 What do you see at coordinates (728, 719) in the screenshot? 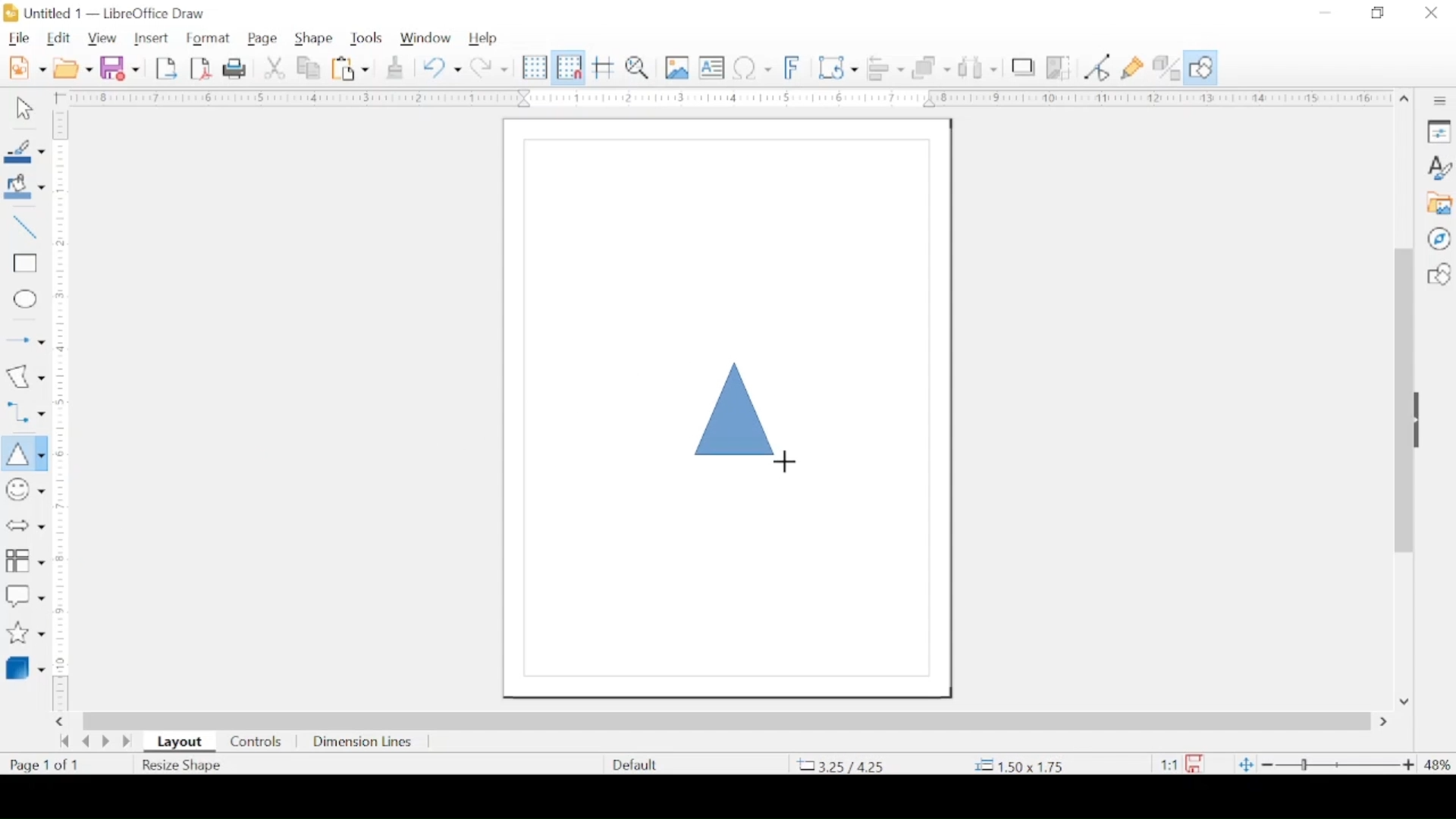
I see `scroll box` at bounding box center [728, 719].